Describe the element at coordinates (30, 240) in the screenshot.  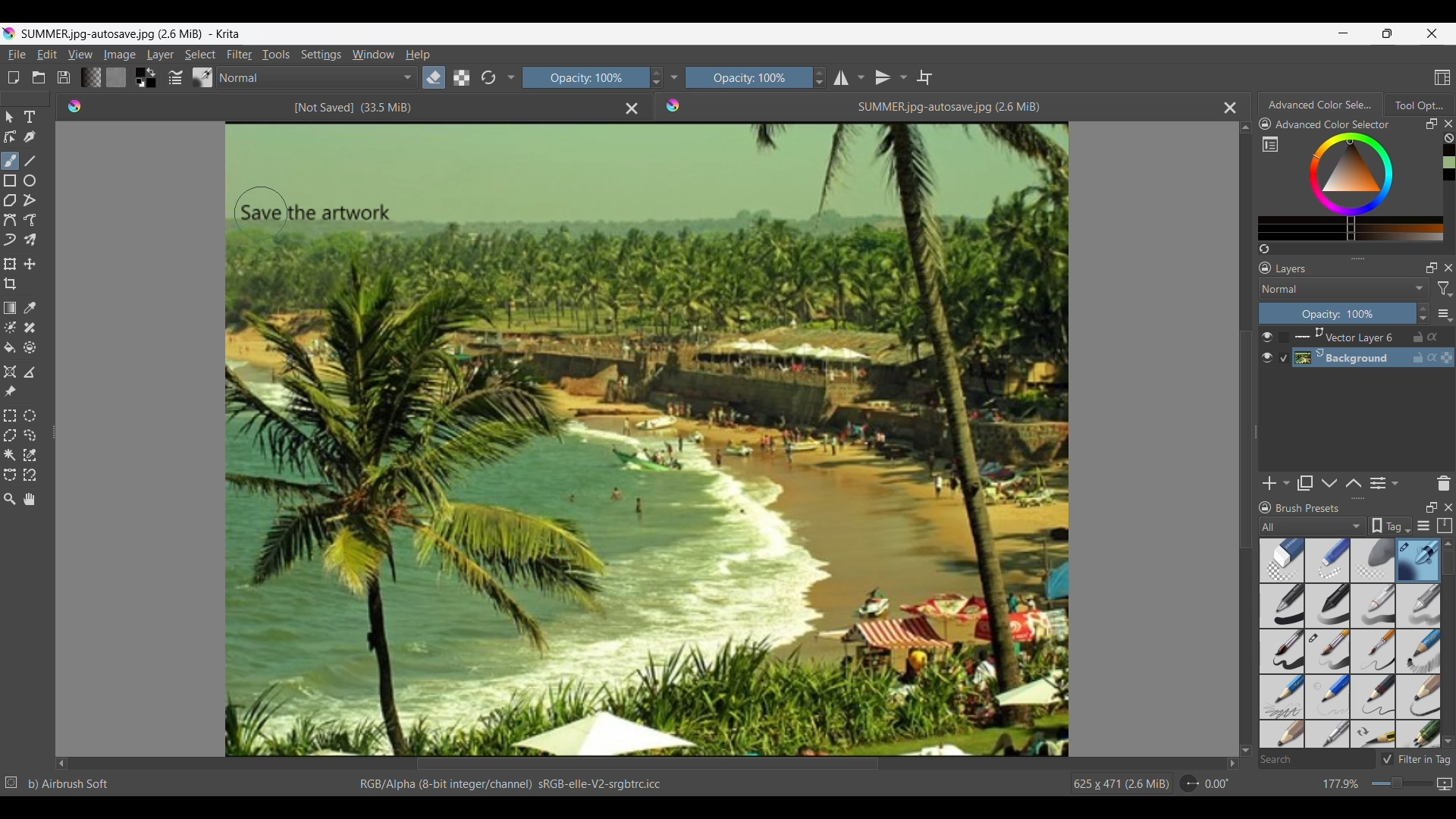
I see `Multibrush tool` at that location.